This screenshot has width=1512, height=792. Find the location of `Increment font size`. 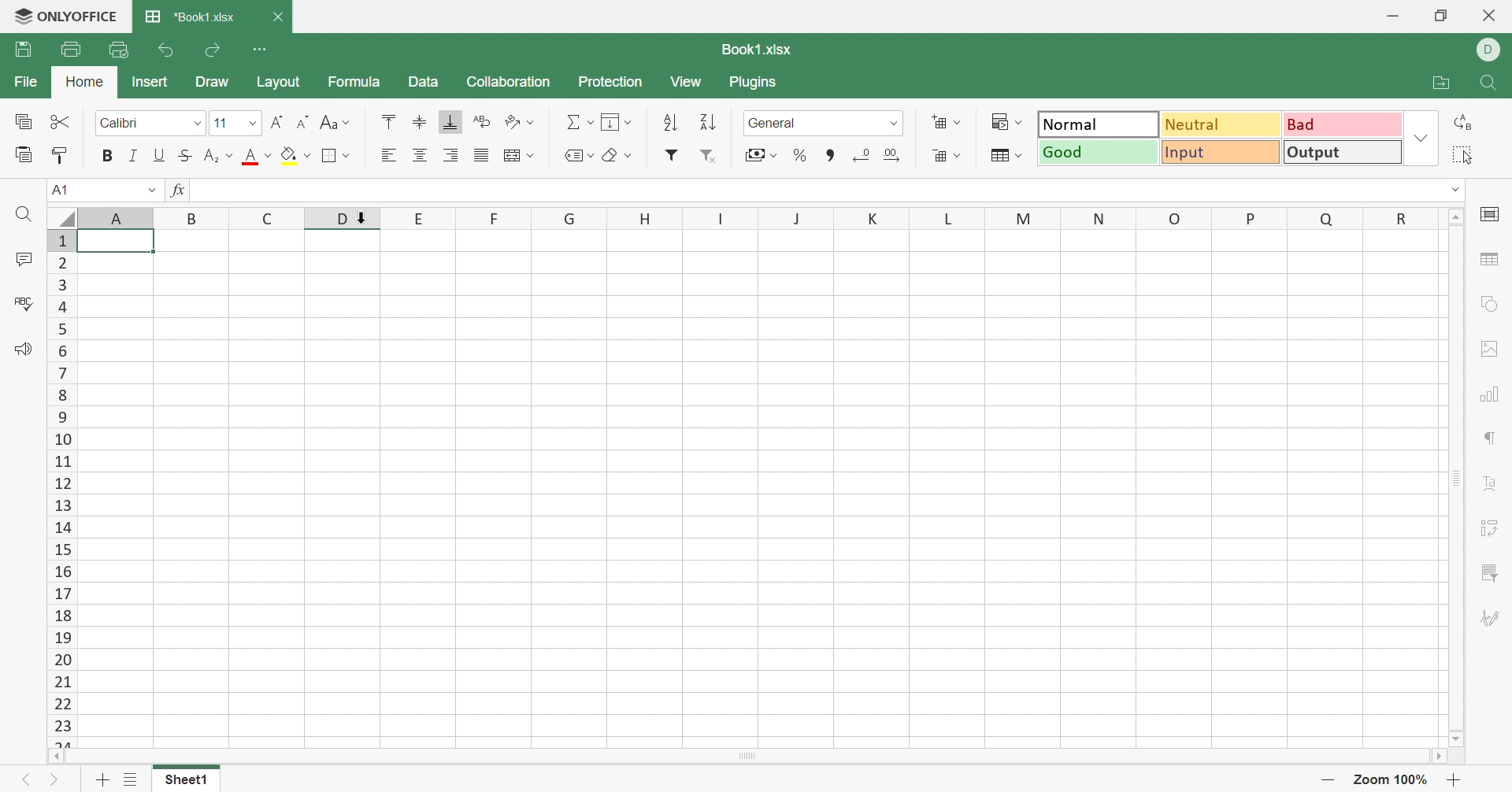

Increment font size is located at coordinates (277, 120).